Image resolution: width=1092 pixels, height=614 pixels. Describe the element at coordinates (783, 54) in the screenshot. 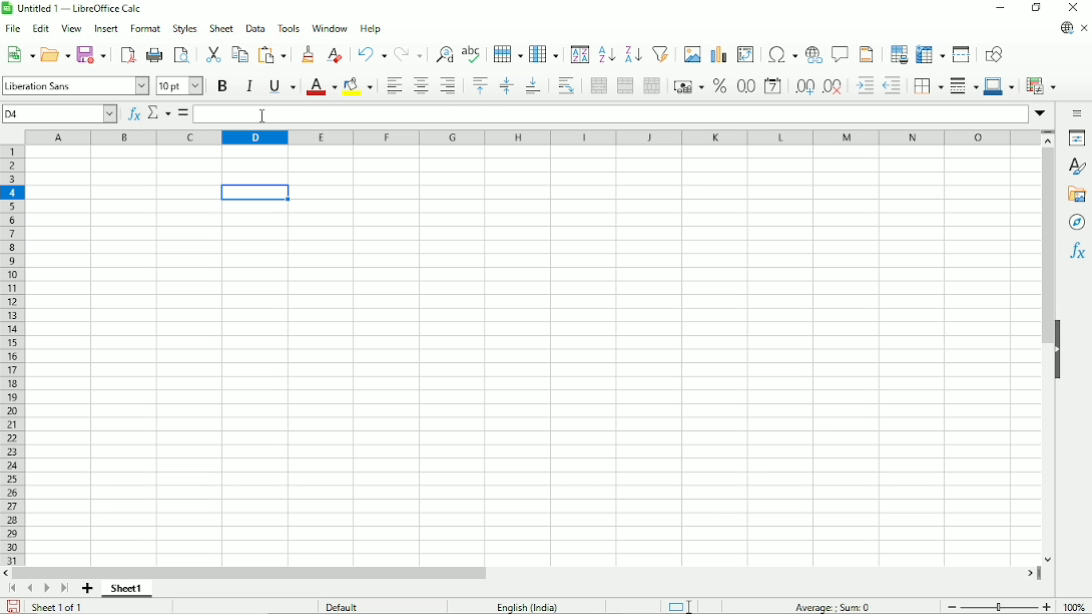

I see `Insert special characters` at that location.